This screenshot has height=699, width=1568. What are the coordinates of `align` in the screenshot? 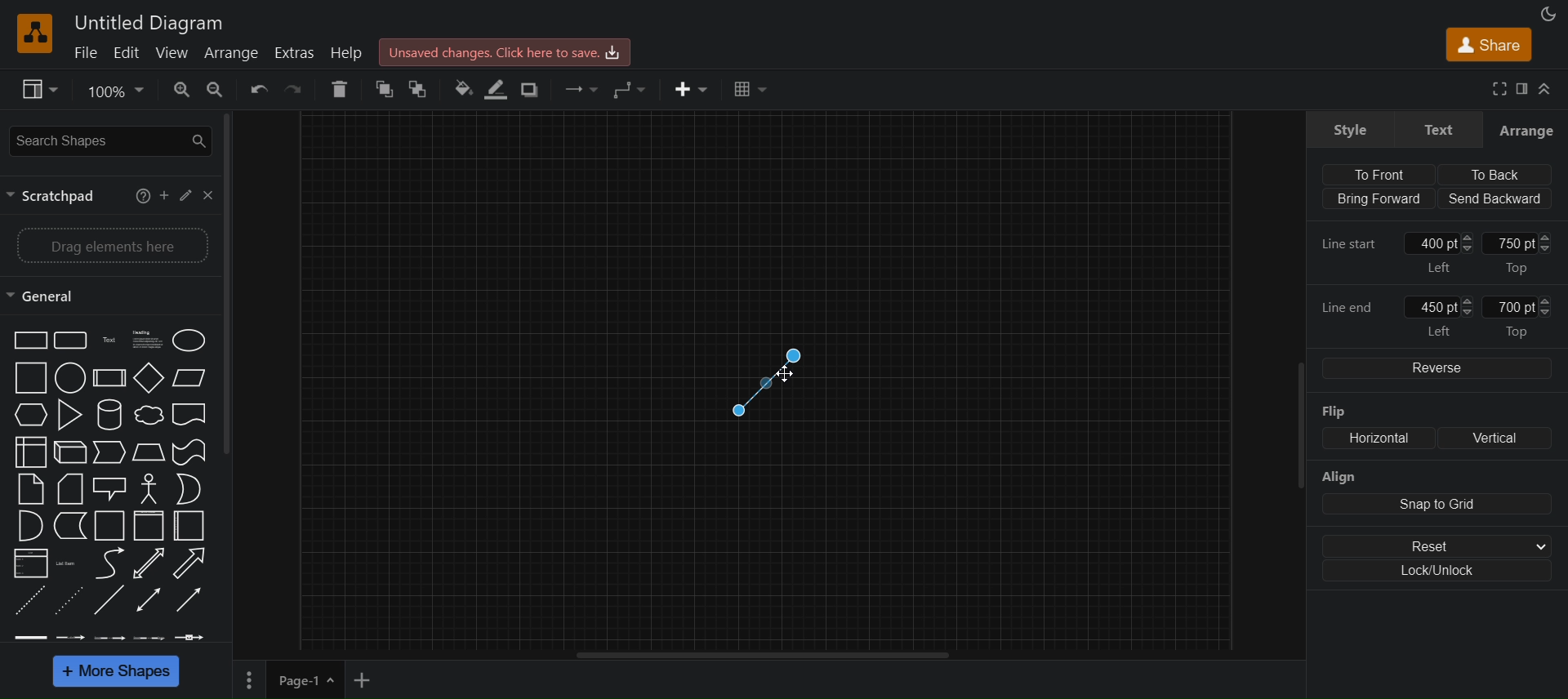 It's located at (1339, 478).